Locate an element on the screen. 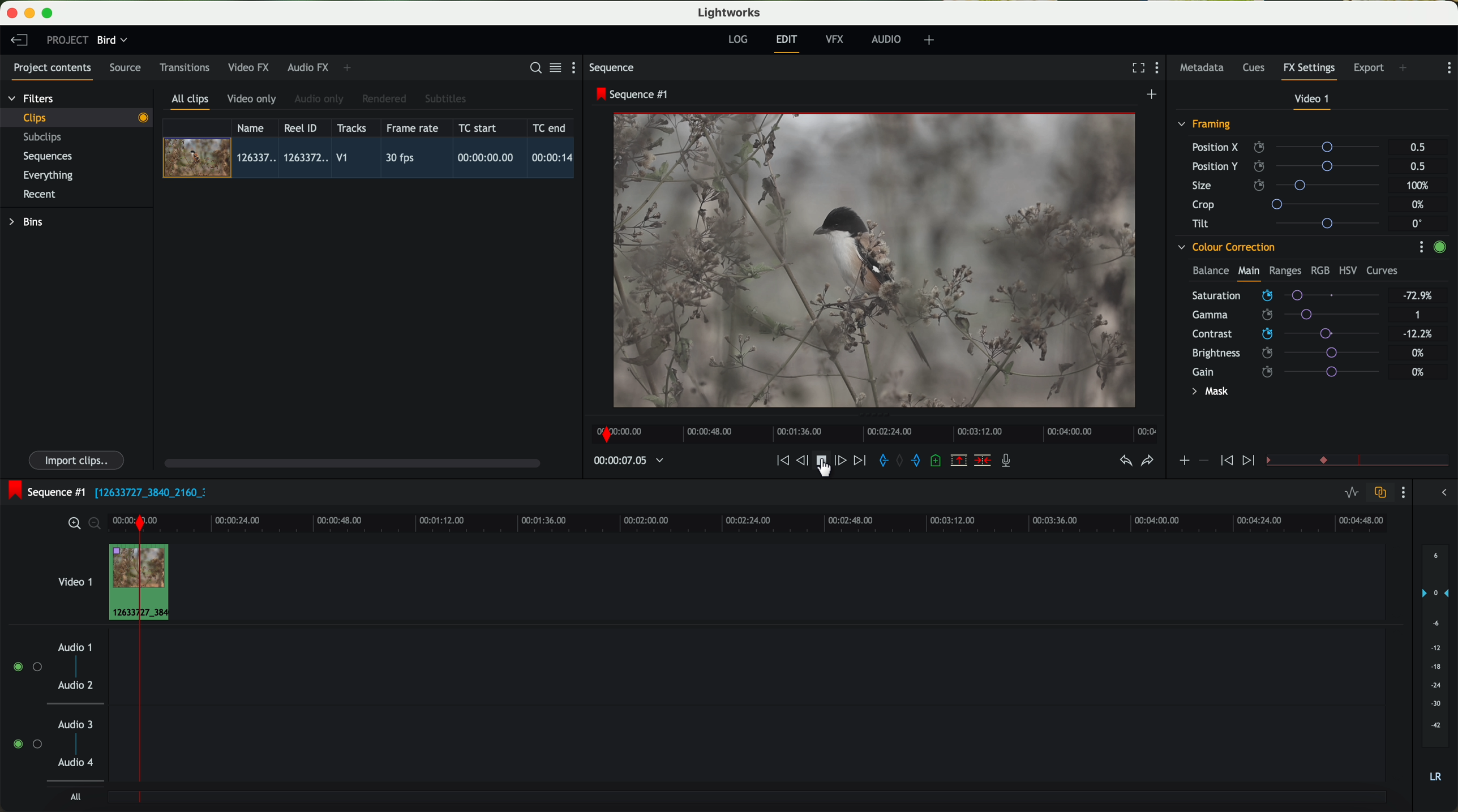 Image resolution: width=1458 pixels, height=812 pixels. all is located at coordinates (75, 797).